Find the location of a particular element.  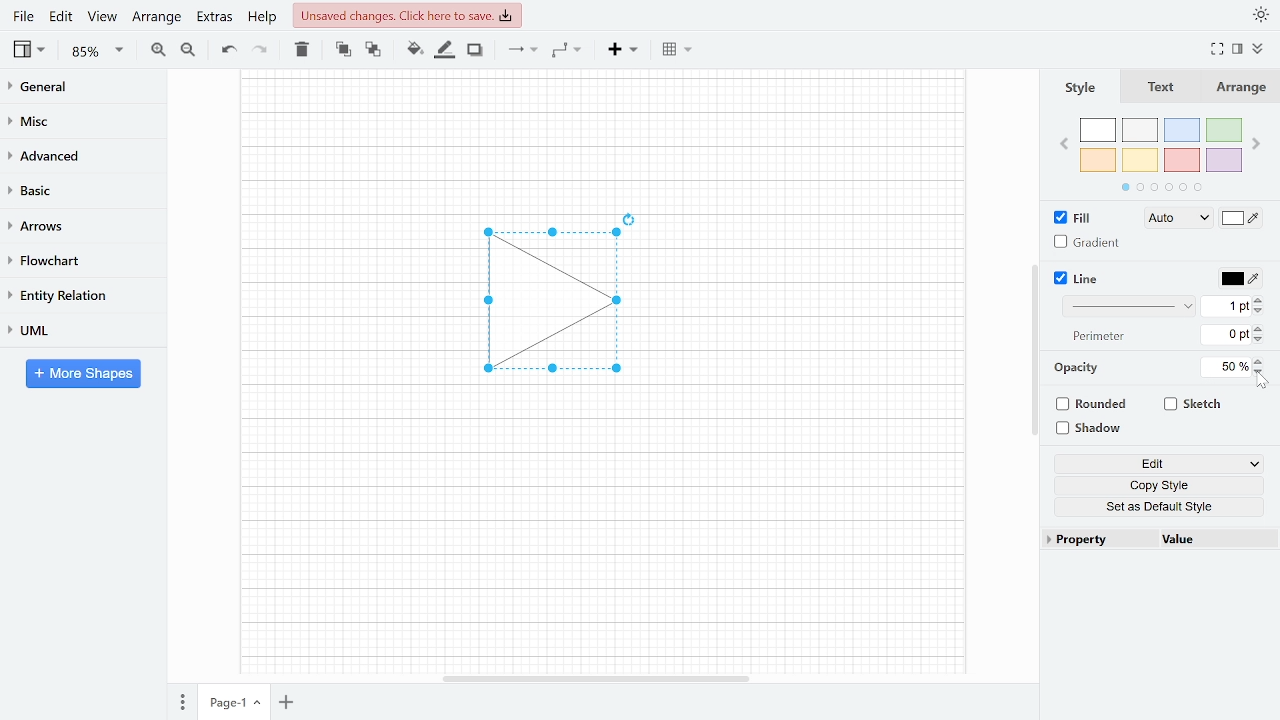

Entity relation is located at coordinates (75, 295).